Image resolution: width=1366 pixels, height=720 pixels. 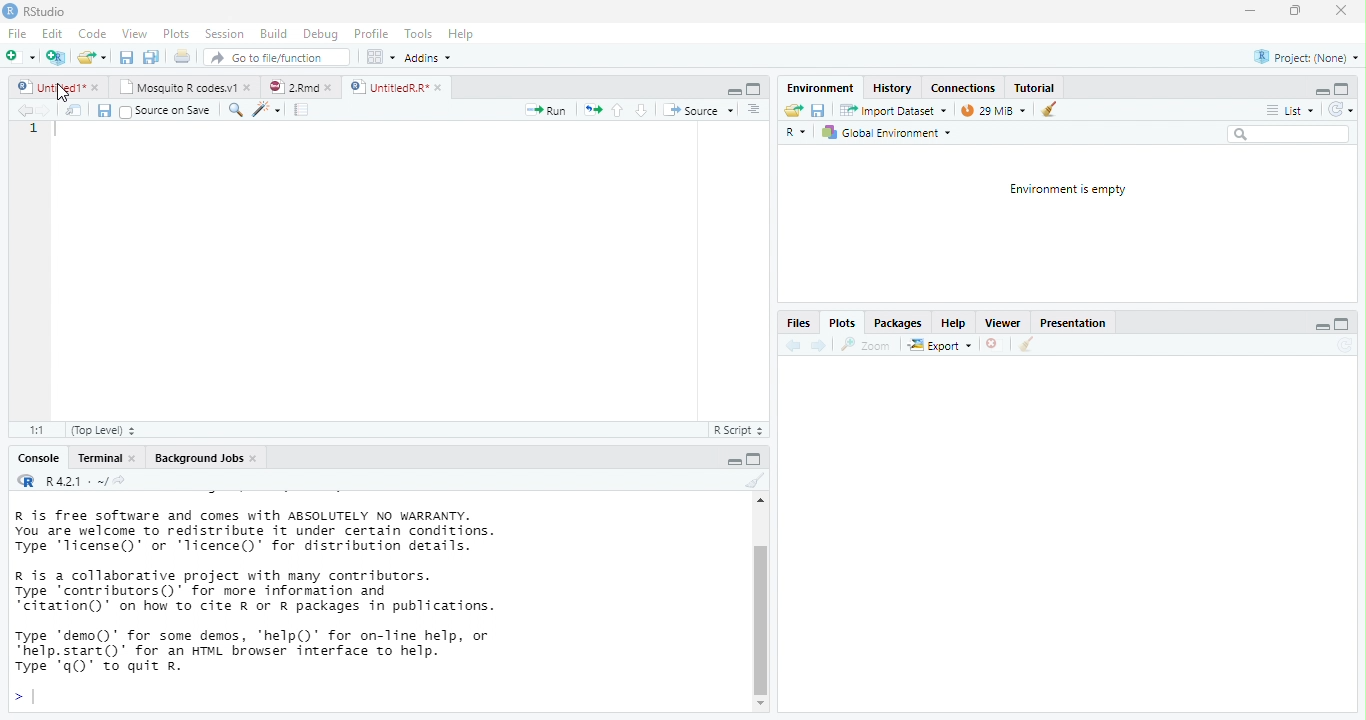 What do you see at coordinates (886, 133) in the screenshot?
I see `Global Environment` at bounding box center [886, 133].